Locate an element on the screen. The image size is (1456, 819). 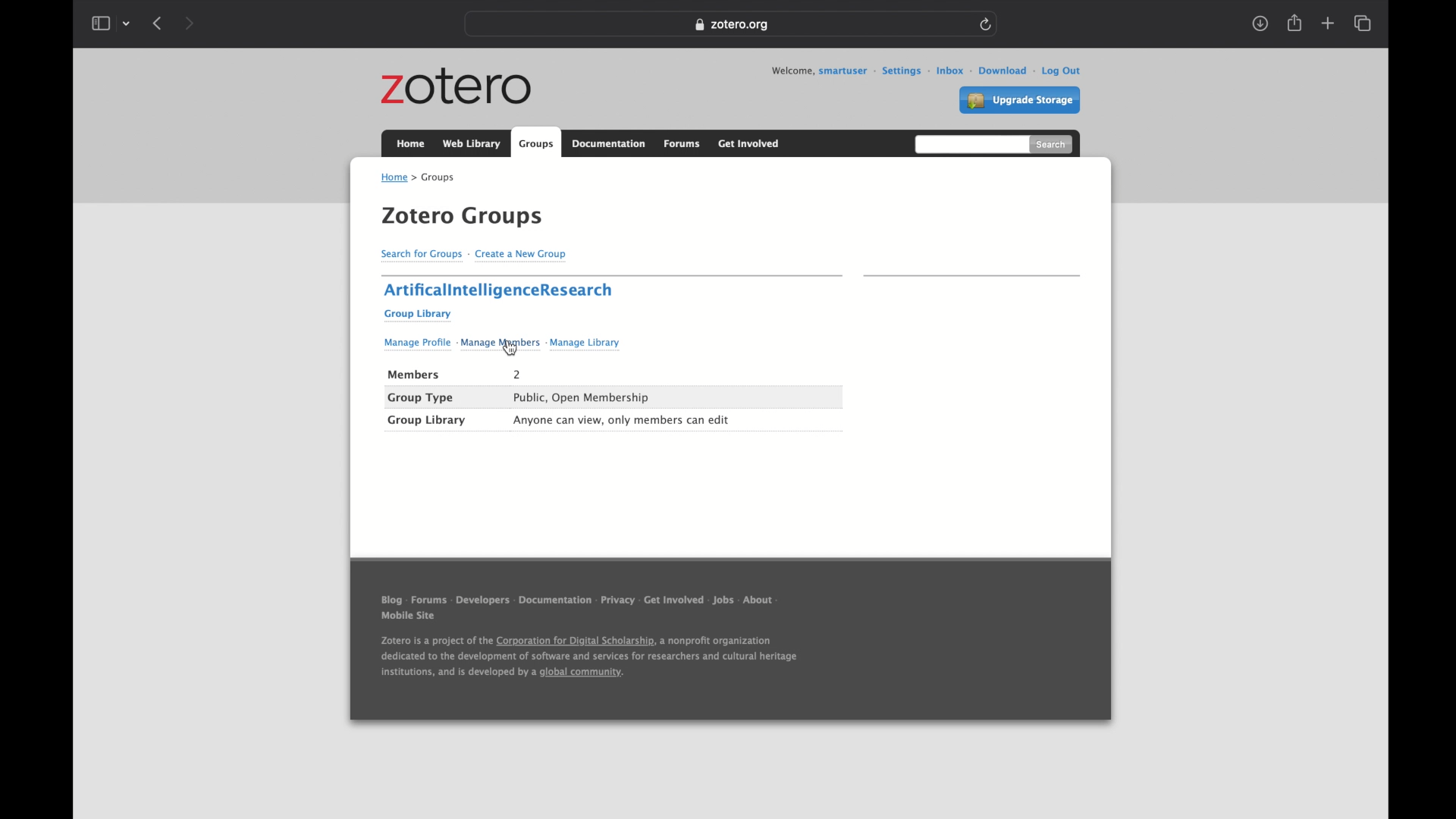
home is located at coordinates (397, 179).